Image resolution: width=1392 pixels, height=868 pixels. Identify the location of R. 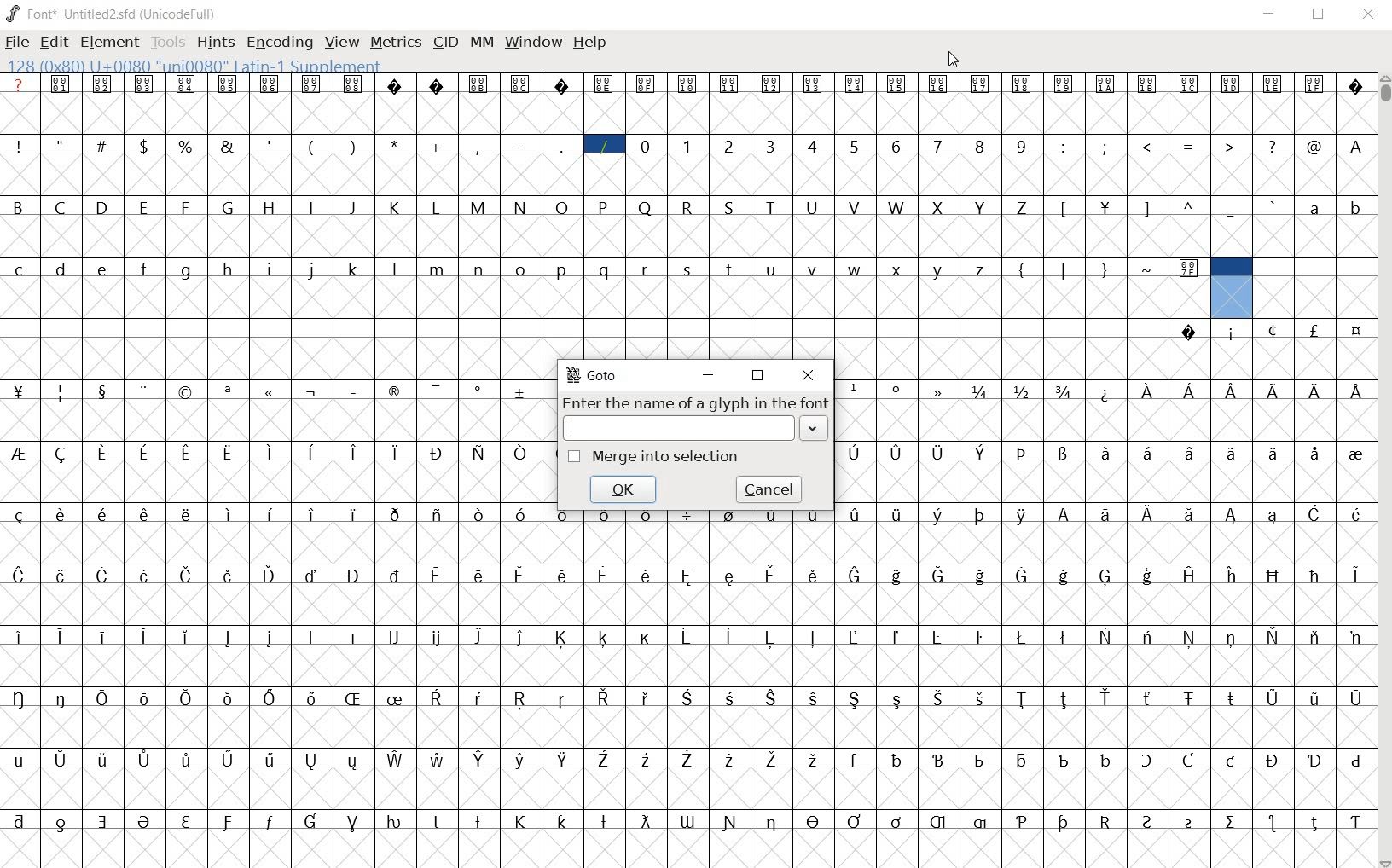
(689, 206).